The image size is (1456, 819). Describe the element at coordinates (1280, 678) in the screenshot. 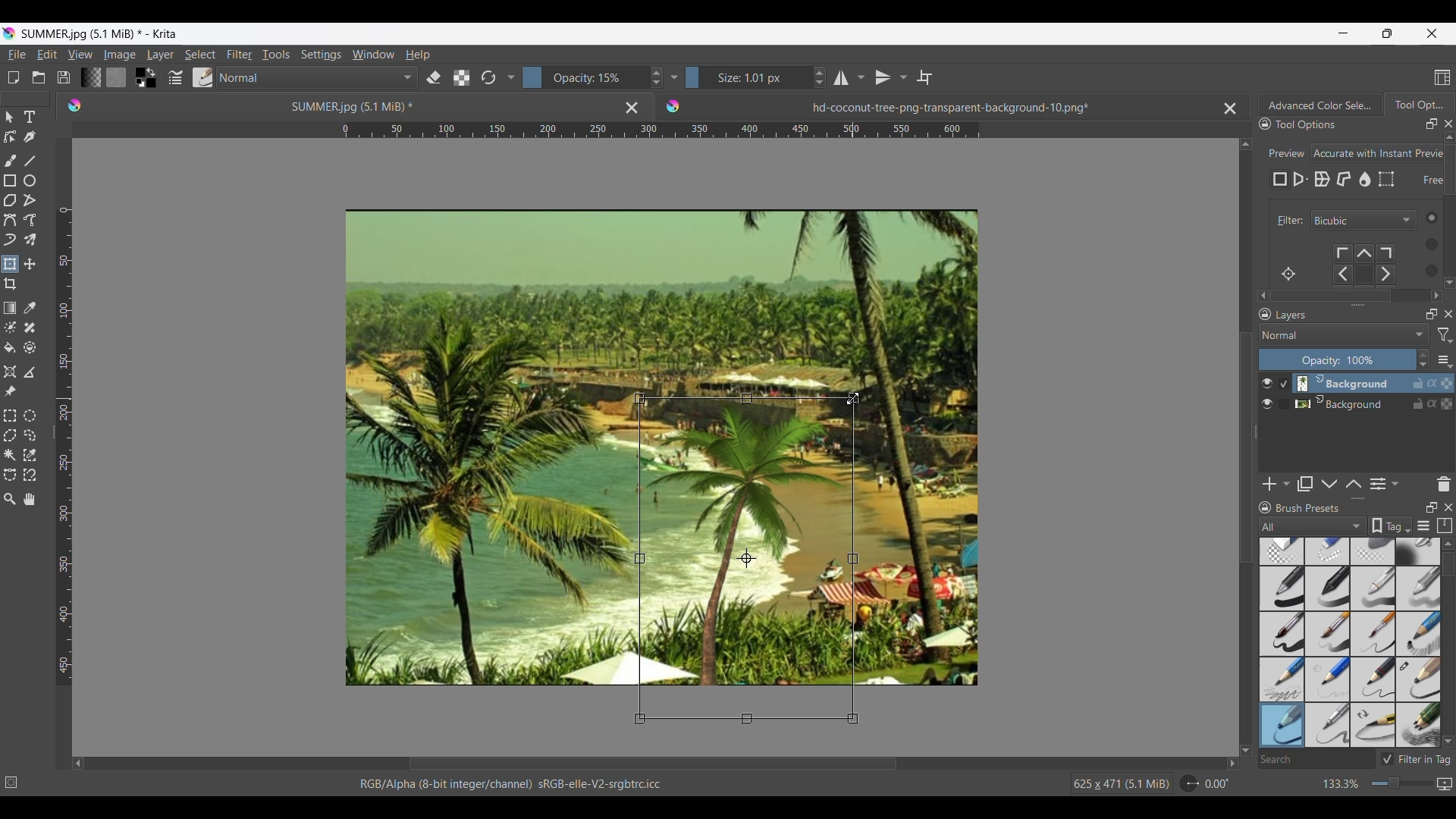

I see `pencil 2b-my point` at that location.